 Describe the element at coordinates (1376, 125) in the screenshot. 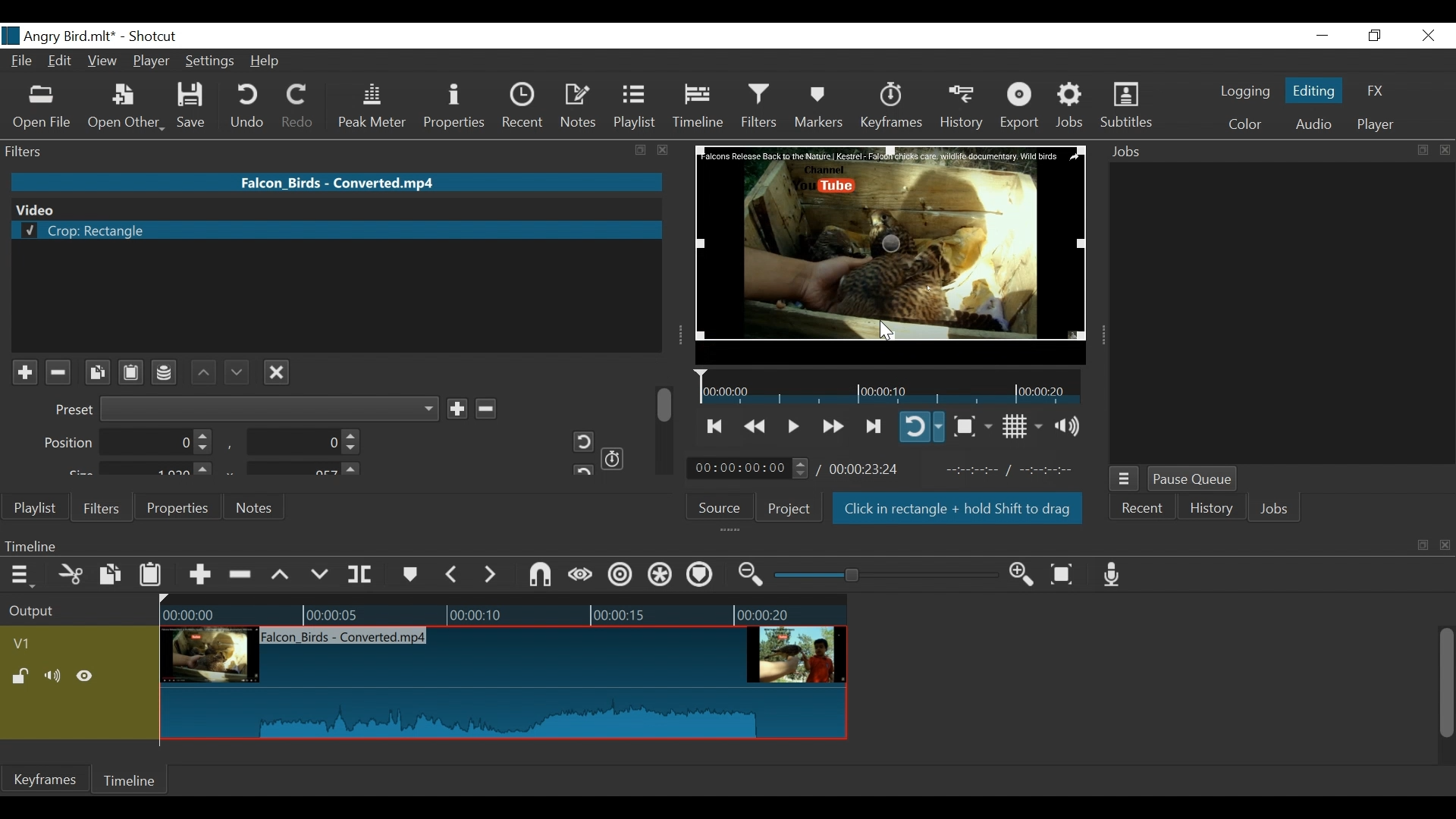

I see `Player` at that location.